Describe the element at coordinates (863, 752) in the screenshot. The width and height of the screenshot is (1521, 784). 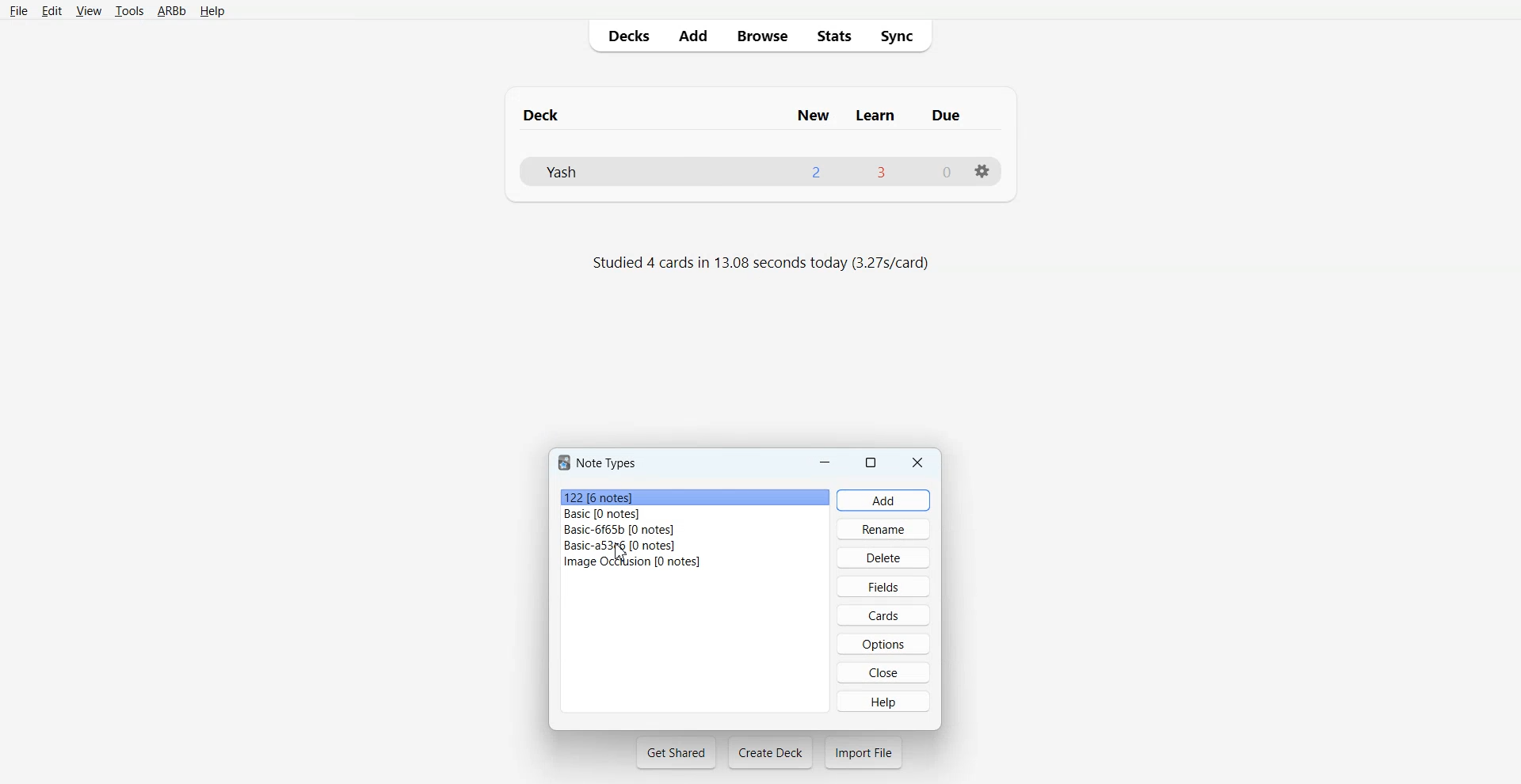
I see `Import File` at that location.